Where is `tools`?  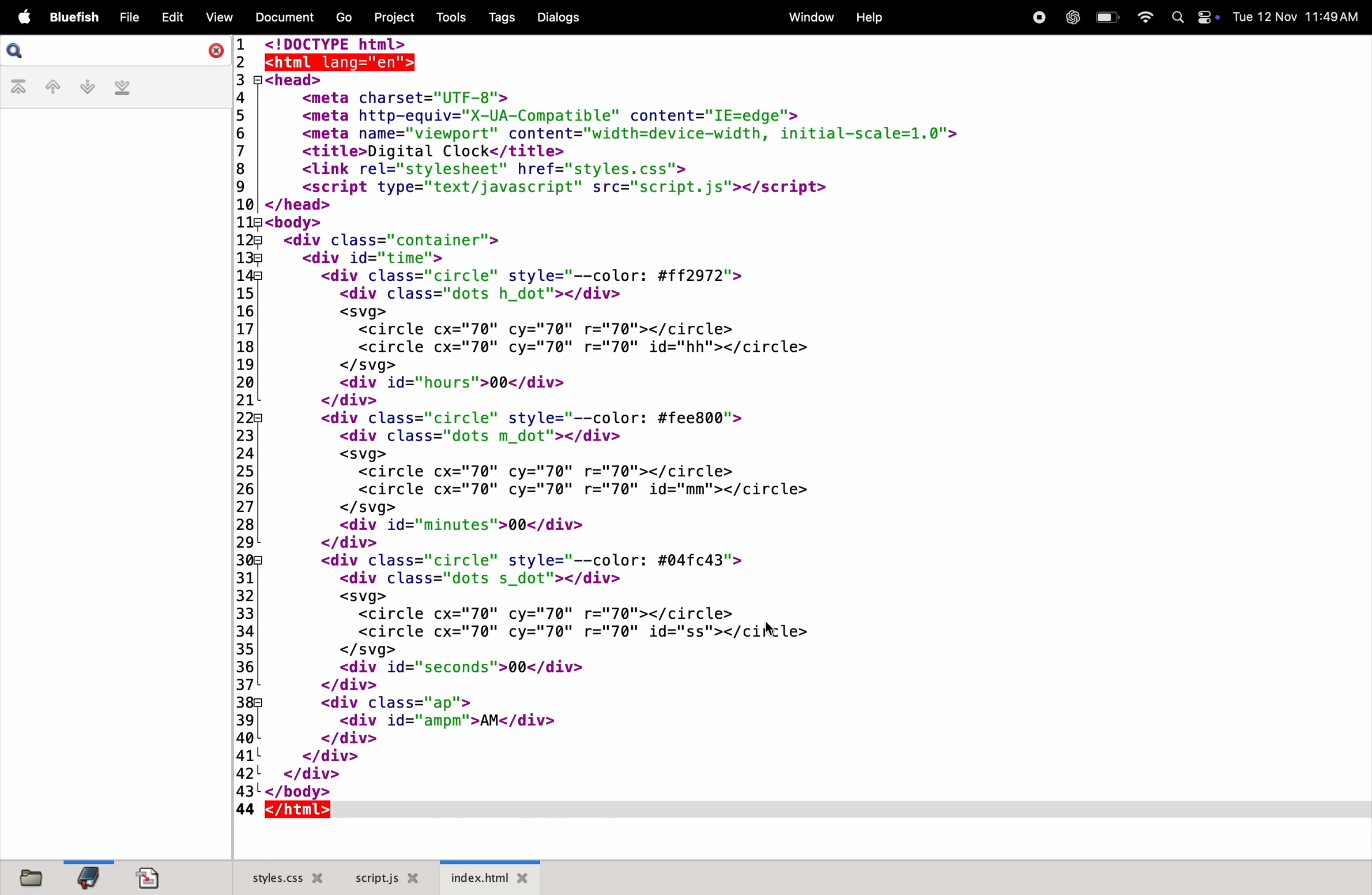 tools is located at coordinates (450, 17).